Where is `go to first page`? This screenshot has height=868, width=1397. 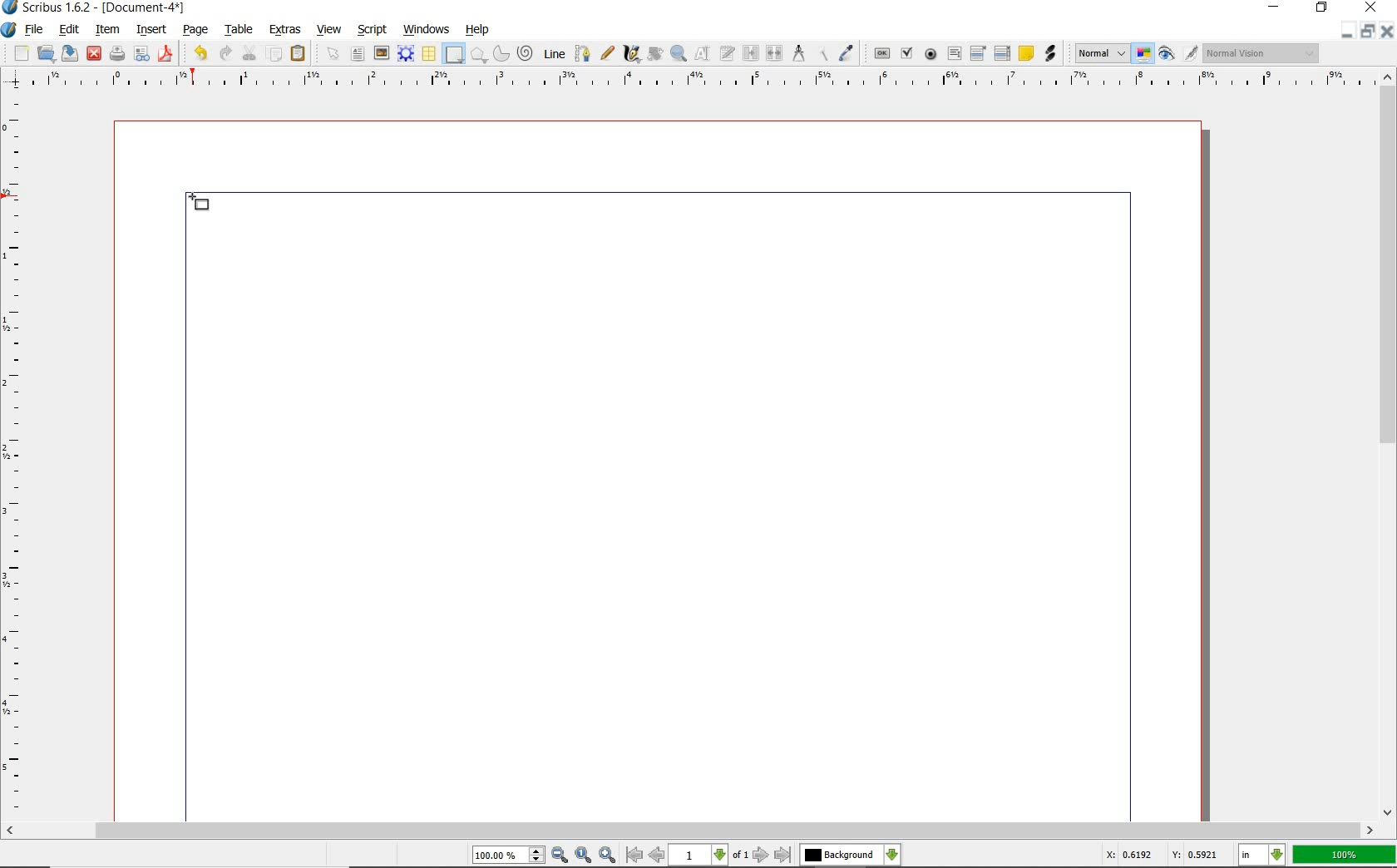
go to first page is located at coordinates (635, 856).